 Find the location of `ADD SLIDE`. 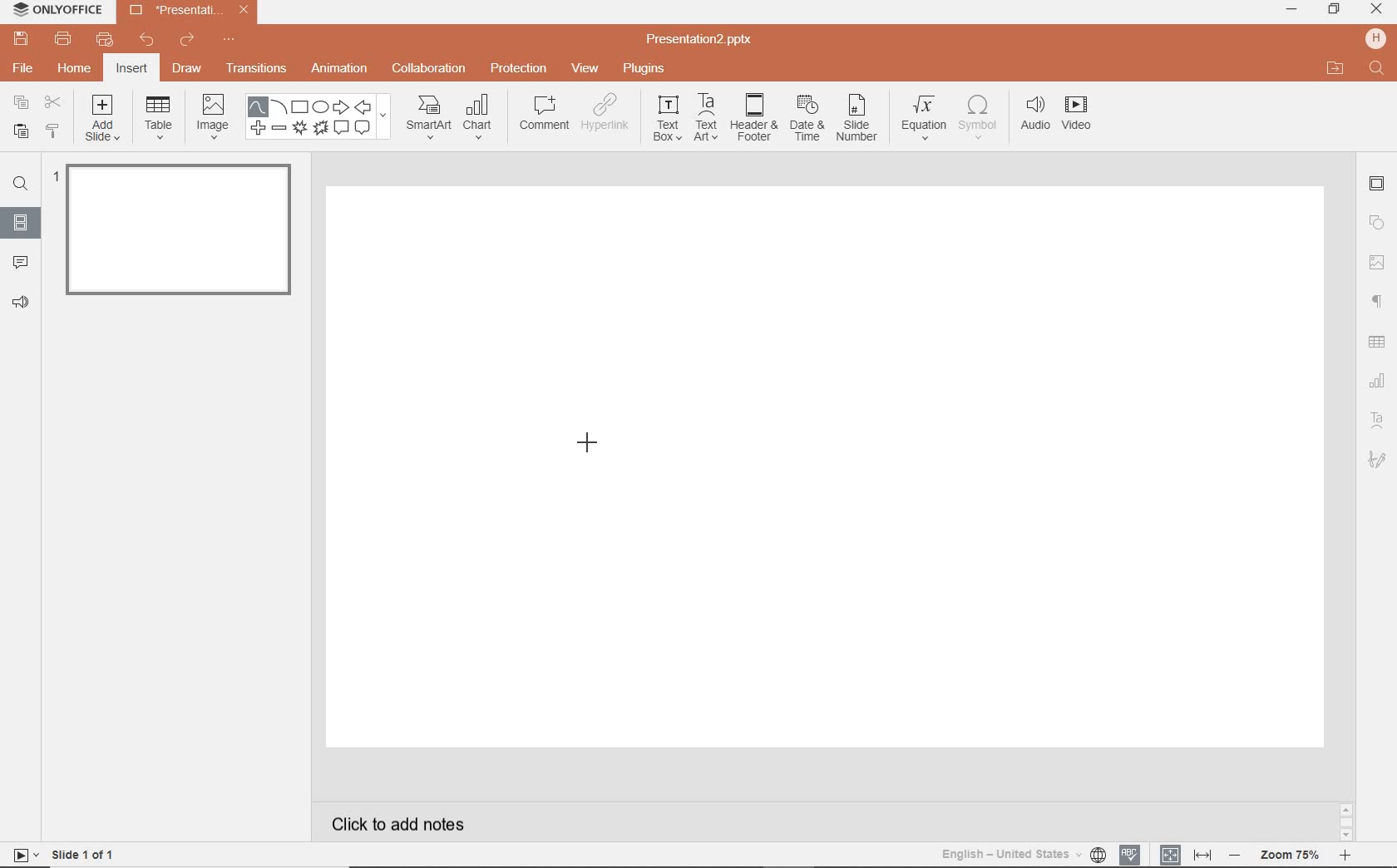

ADD SLIDE is located at coordinates (104, 121).